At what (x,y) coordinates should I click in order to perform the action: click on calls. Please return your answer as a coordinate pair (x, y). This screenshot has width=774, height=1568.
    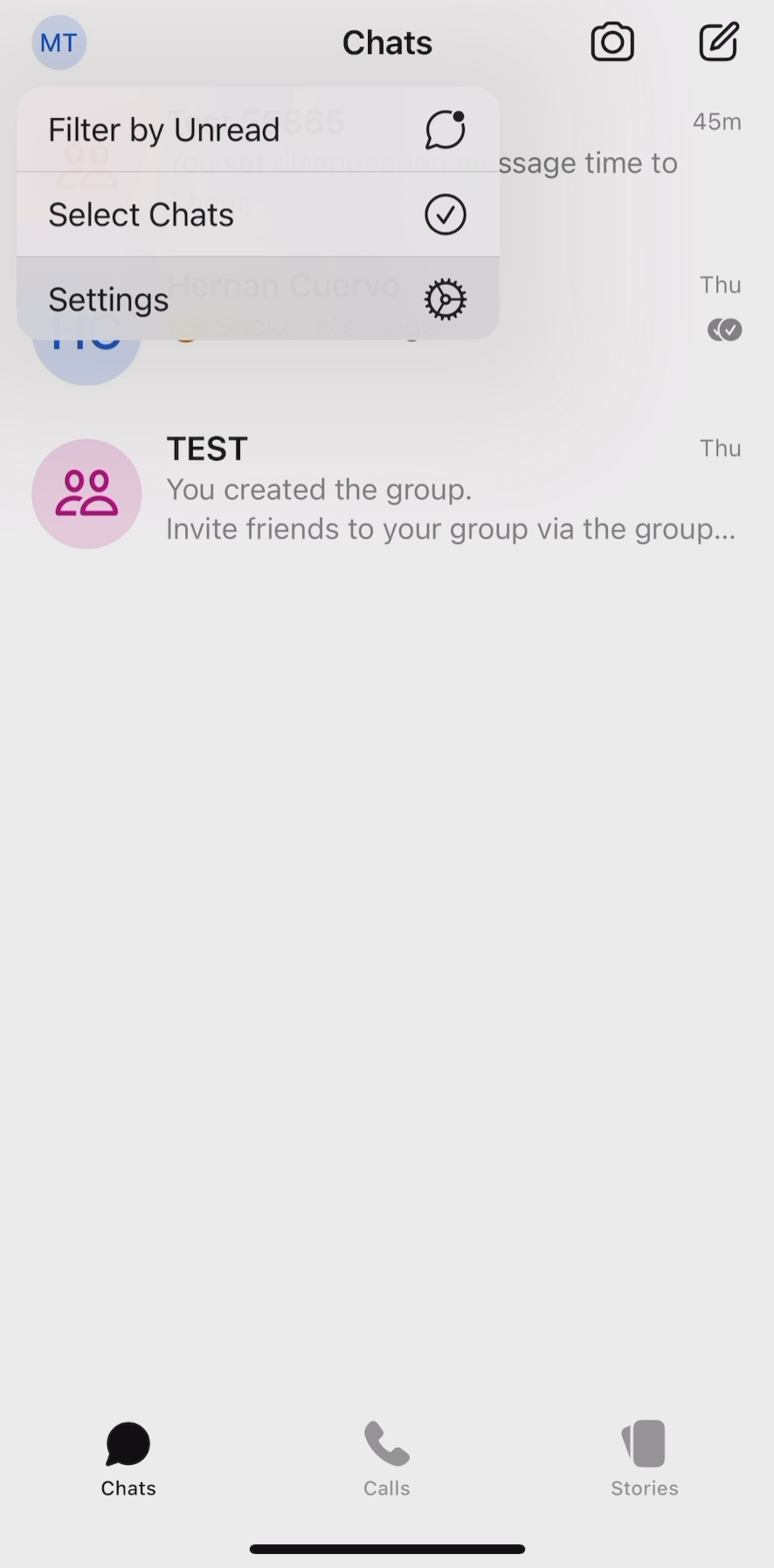
    Looking at the image, I should click on (389, 1454).